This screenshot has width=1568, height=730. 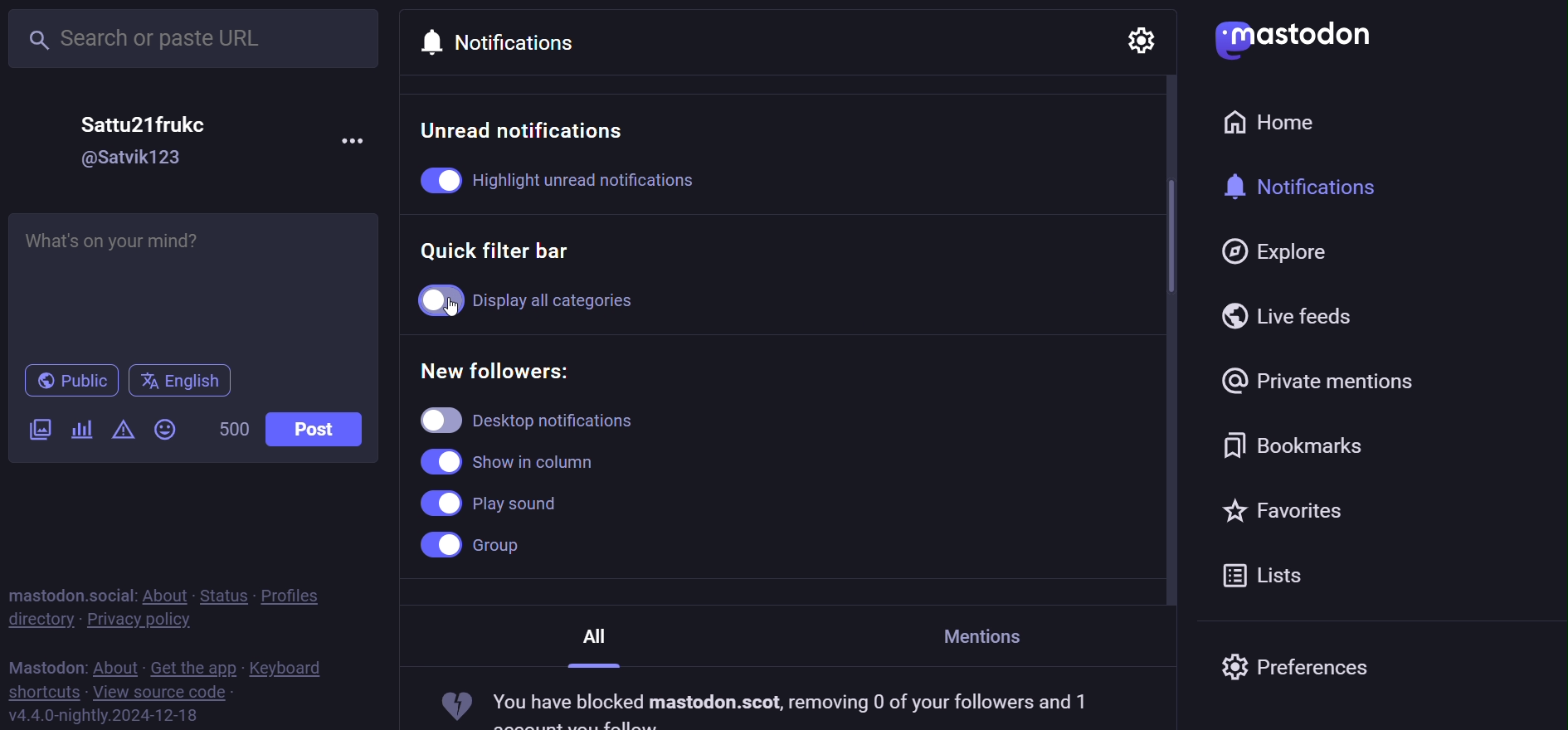 I want to click on version, so click(x=105, y=714).